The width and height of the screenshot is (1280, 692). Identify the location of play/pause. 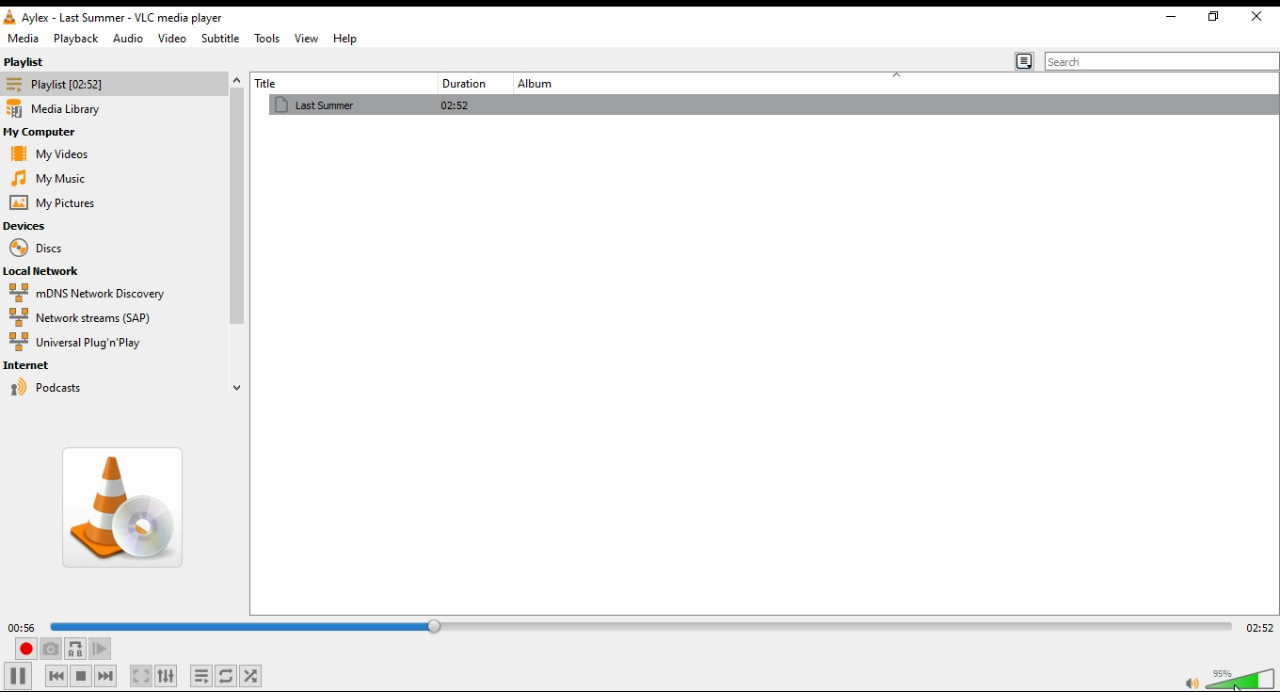
(17, 676).